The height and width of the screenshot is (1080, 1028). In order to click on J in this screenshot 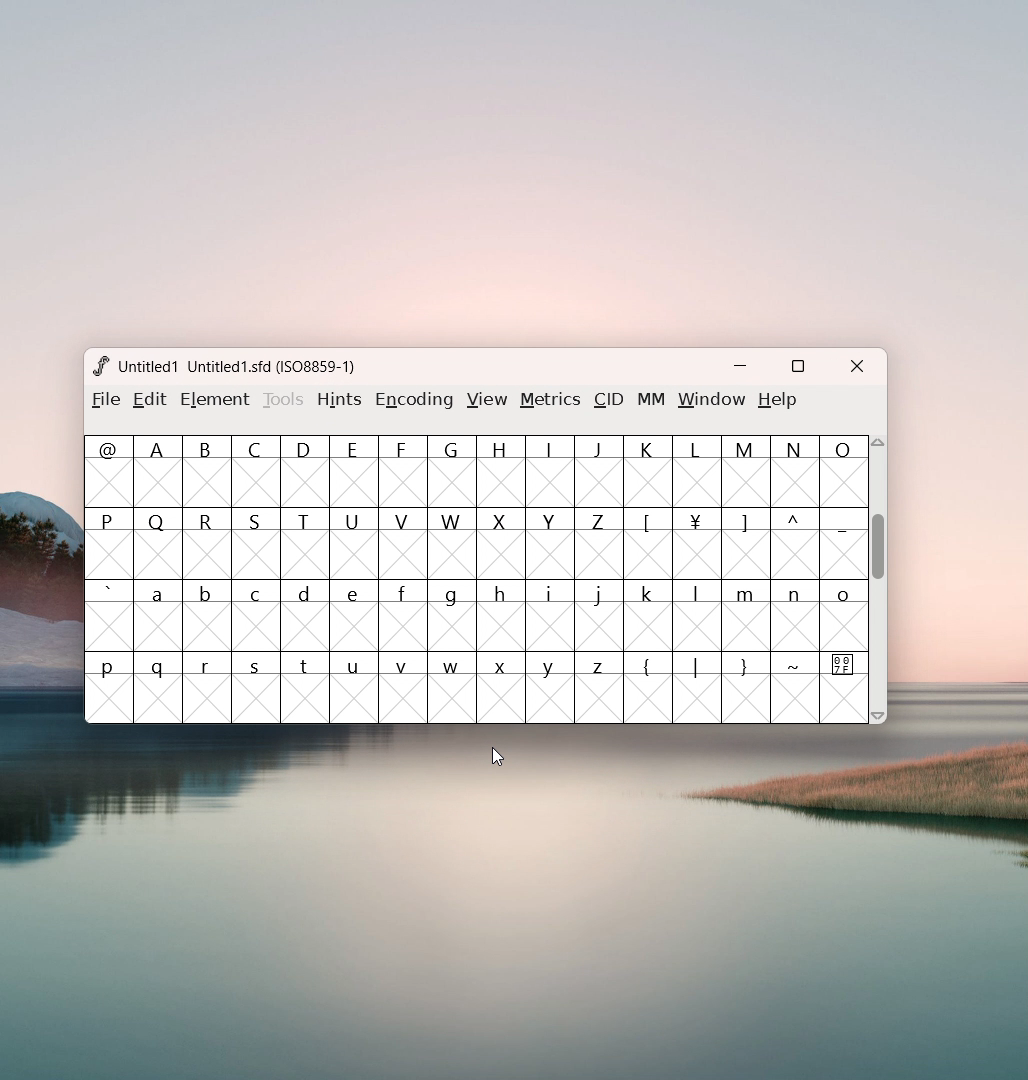, I will do `click(600, 471)`.